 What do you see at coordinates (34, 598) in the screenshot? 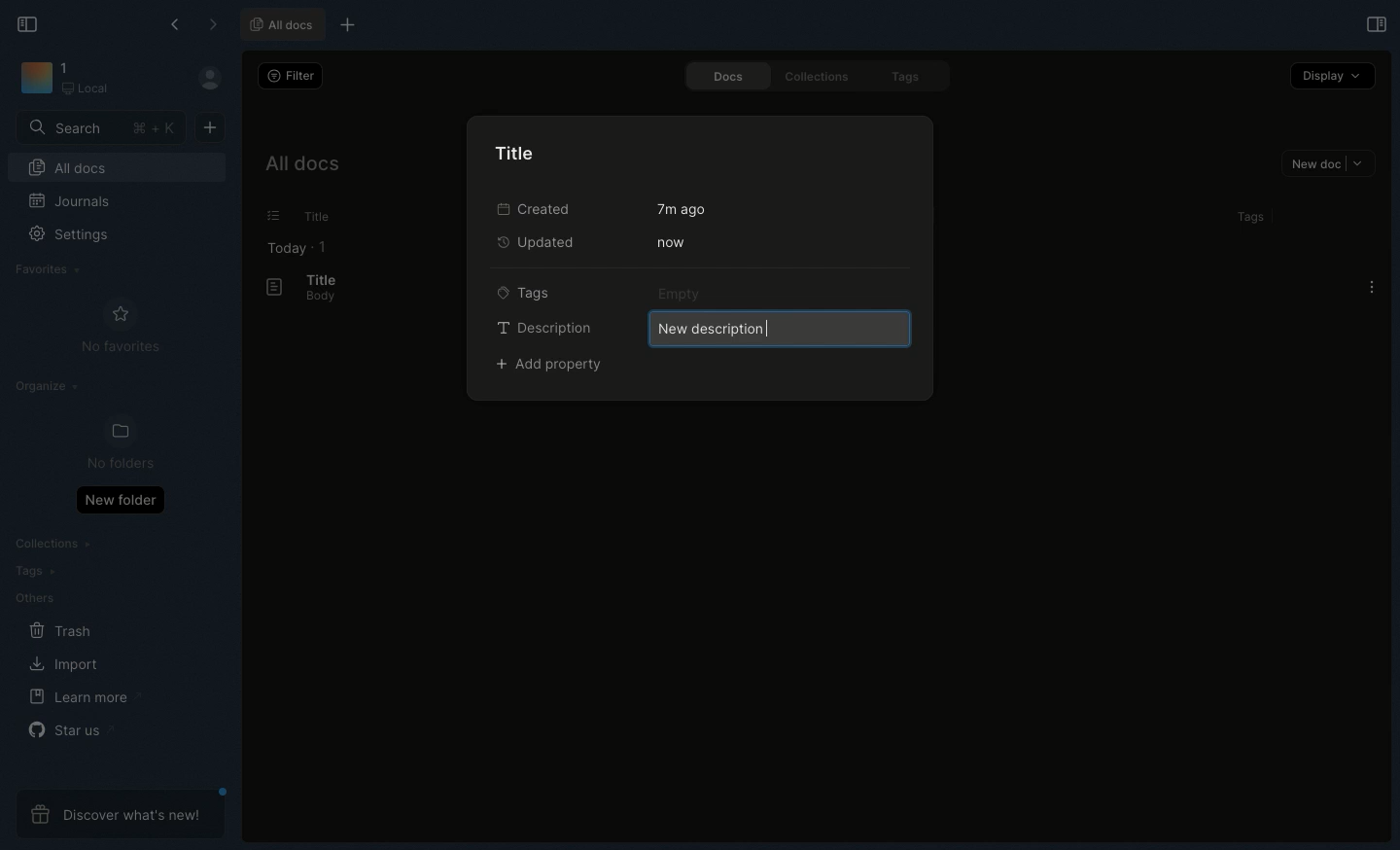
I see `Others` at bounding box center [34, 598].